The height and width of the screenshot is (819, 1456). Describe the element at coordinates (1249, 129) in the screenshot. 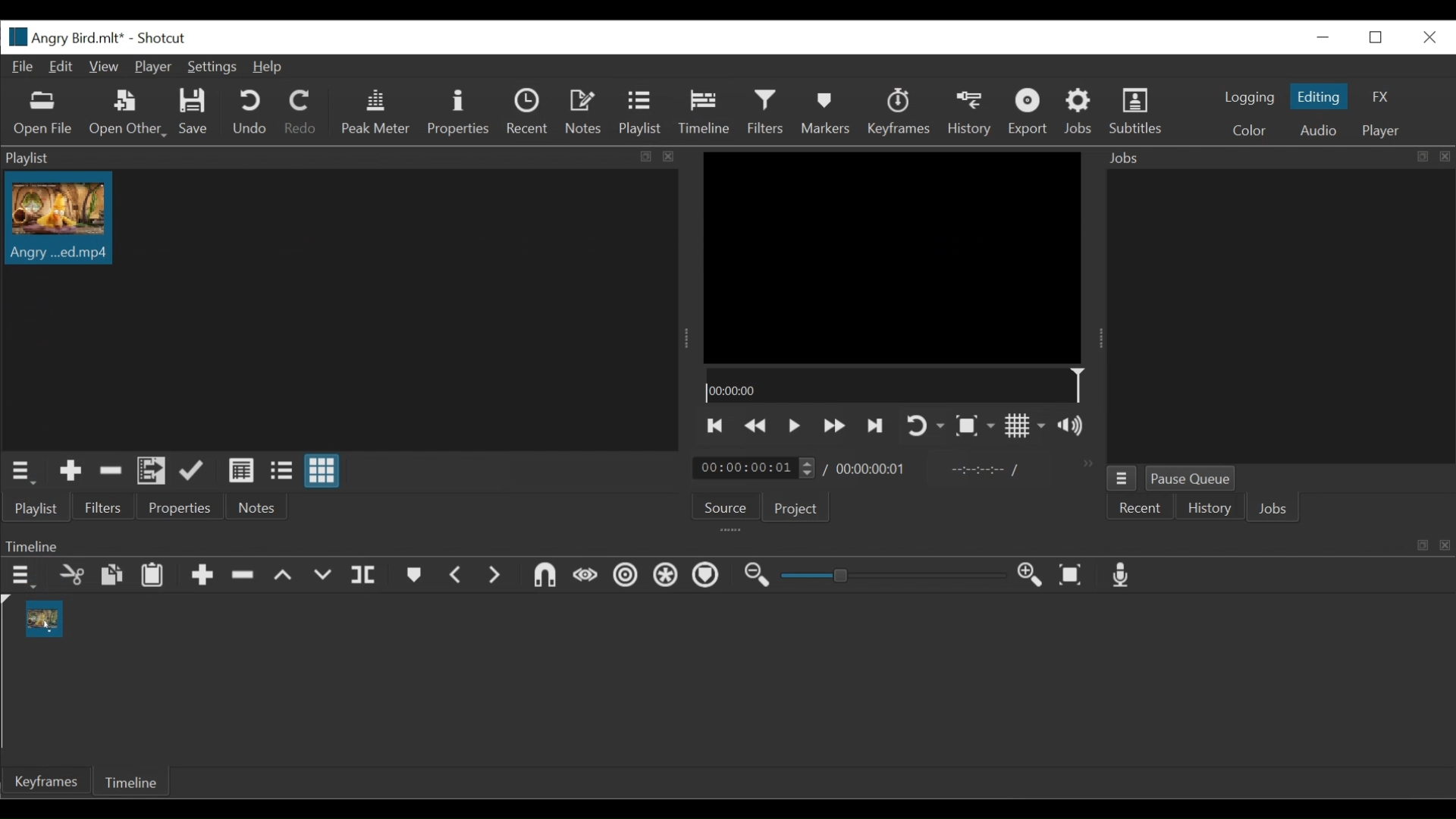

I see `Color` at that location.